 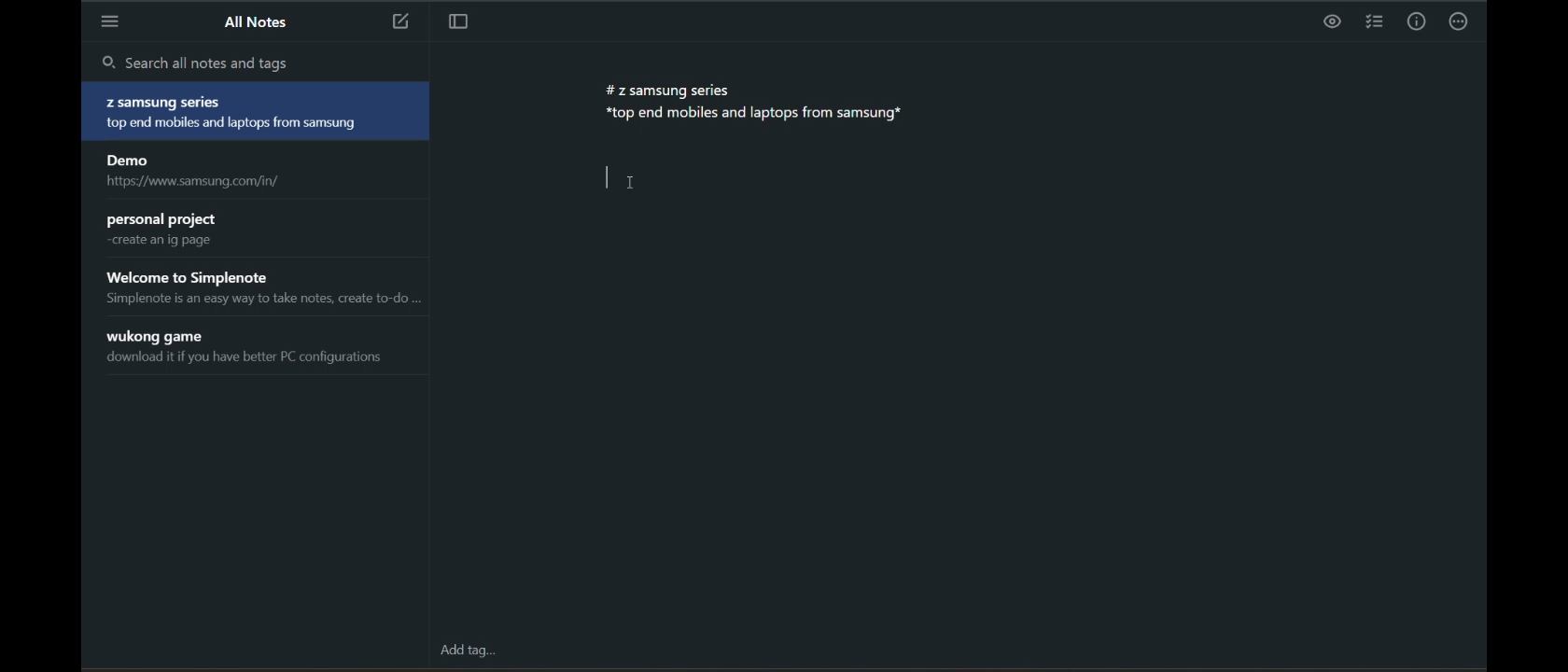 I want to click on #z samsung series *top end mobiles and laptops from samsung*, so click(x=758, y=107).